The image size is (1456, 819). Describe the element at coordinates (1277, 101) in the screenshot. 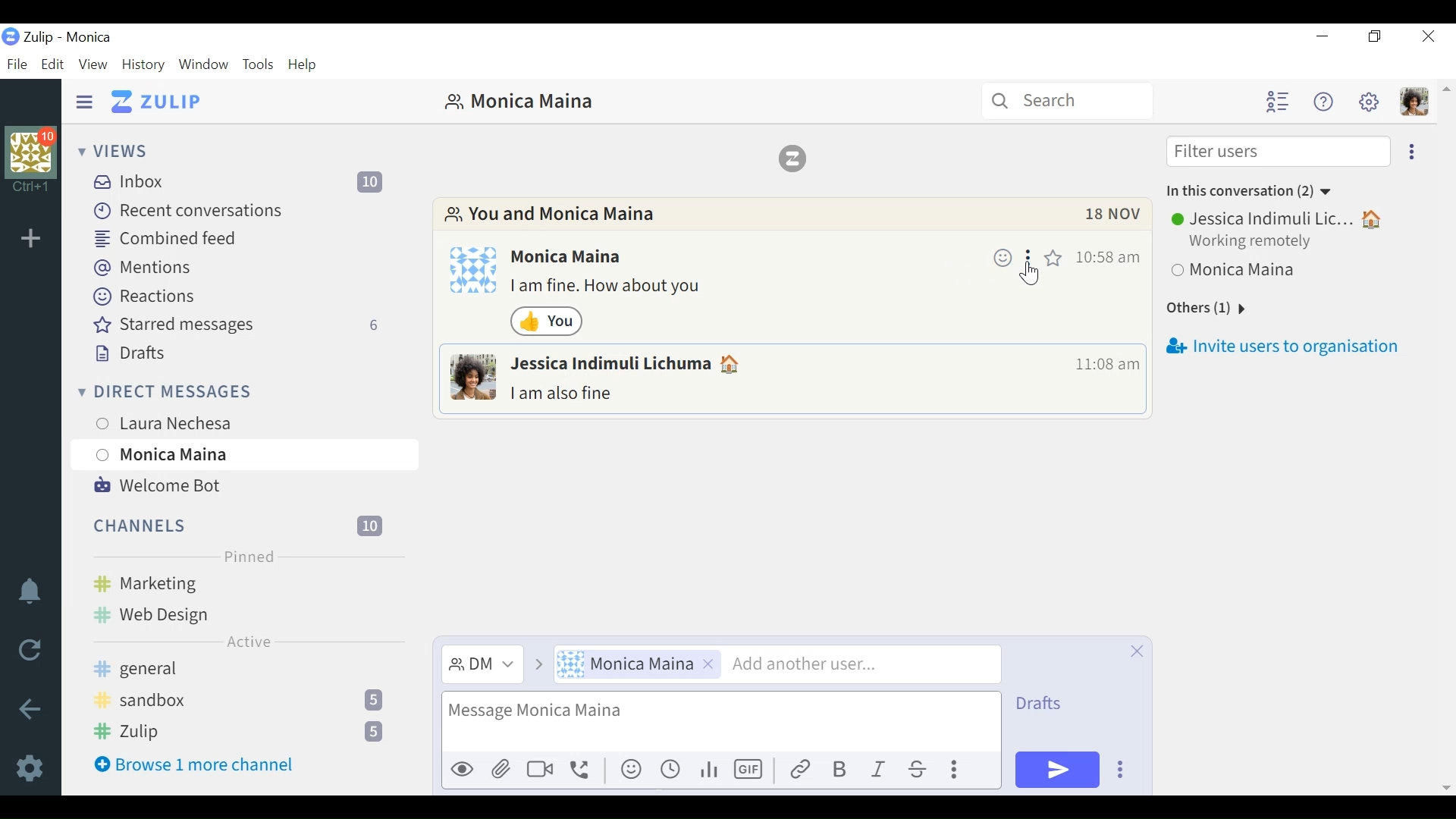

I see `Hide user list` at that location.